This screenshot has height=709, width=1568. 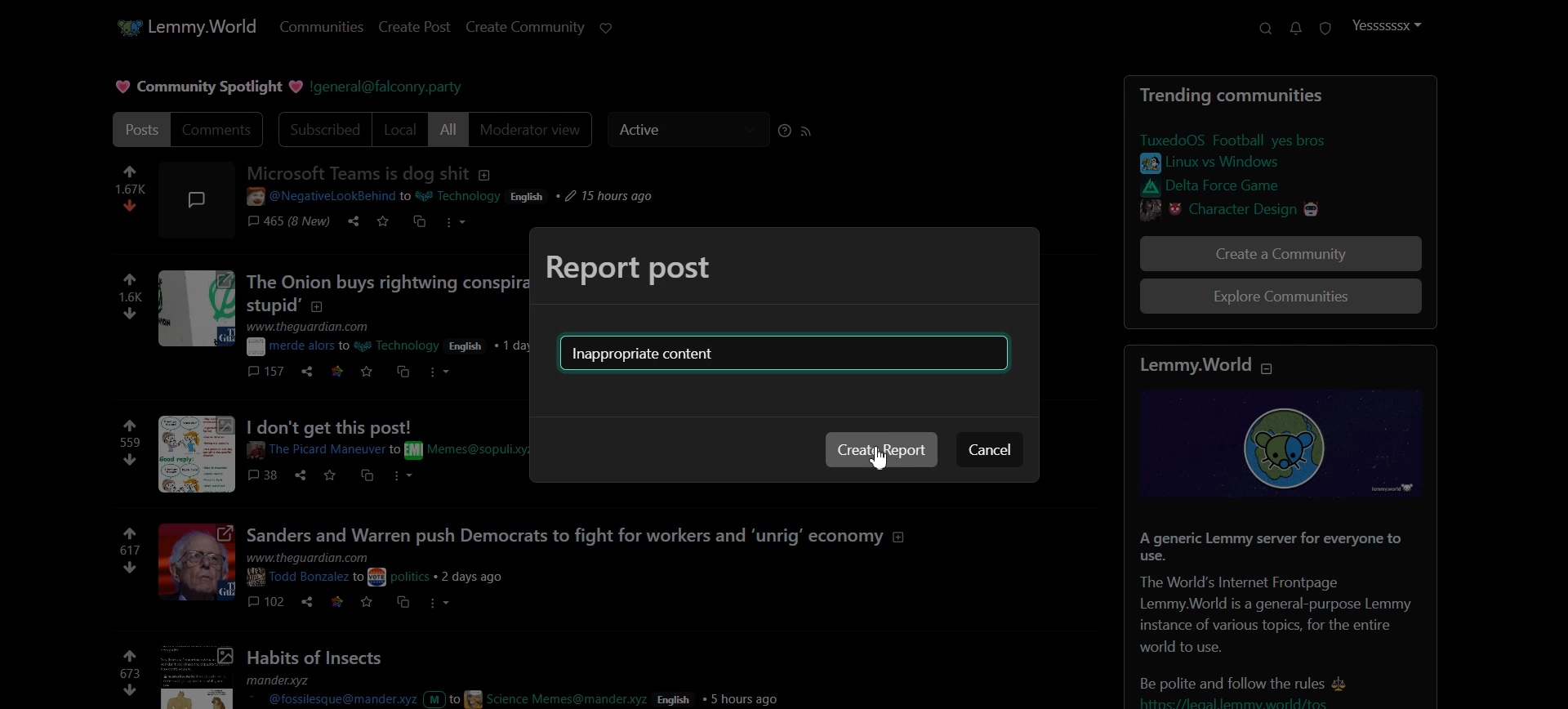 What do you see at coordinates (299, 475) in the screenshot?
I see `share` at bounding box center [299, 475].